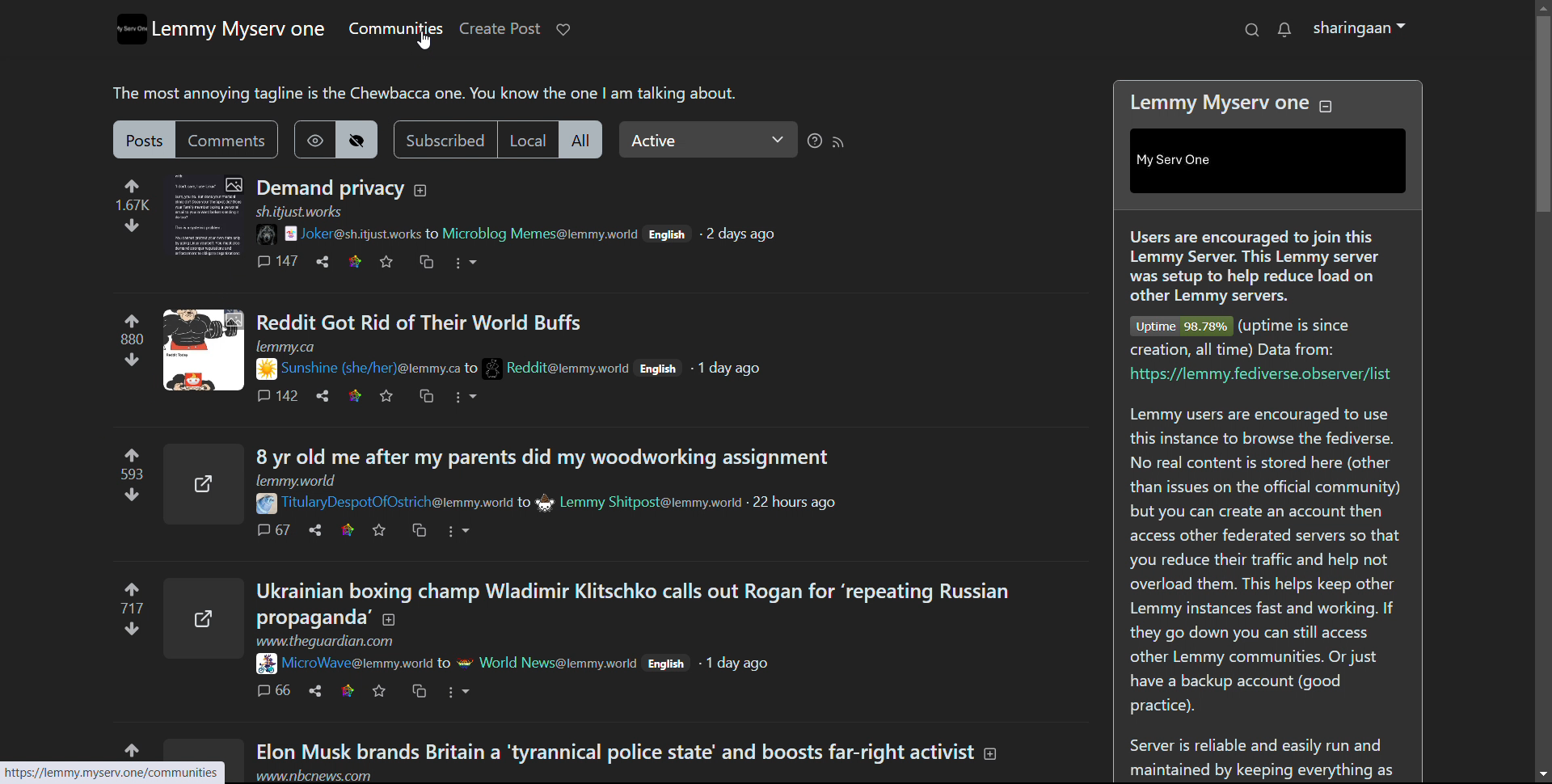 Image resolution: width=1552 pixels, height=784 pixels. I want to click on share, so click(323, 396).